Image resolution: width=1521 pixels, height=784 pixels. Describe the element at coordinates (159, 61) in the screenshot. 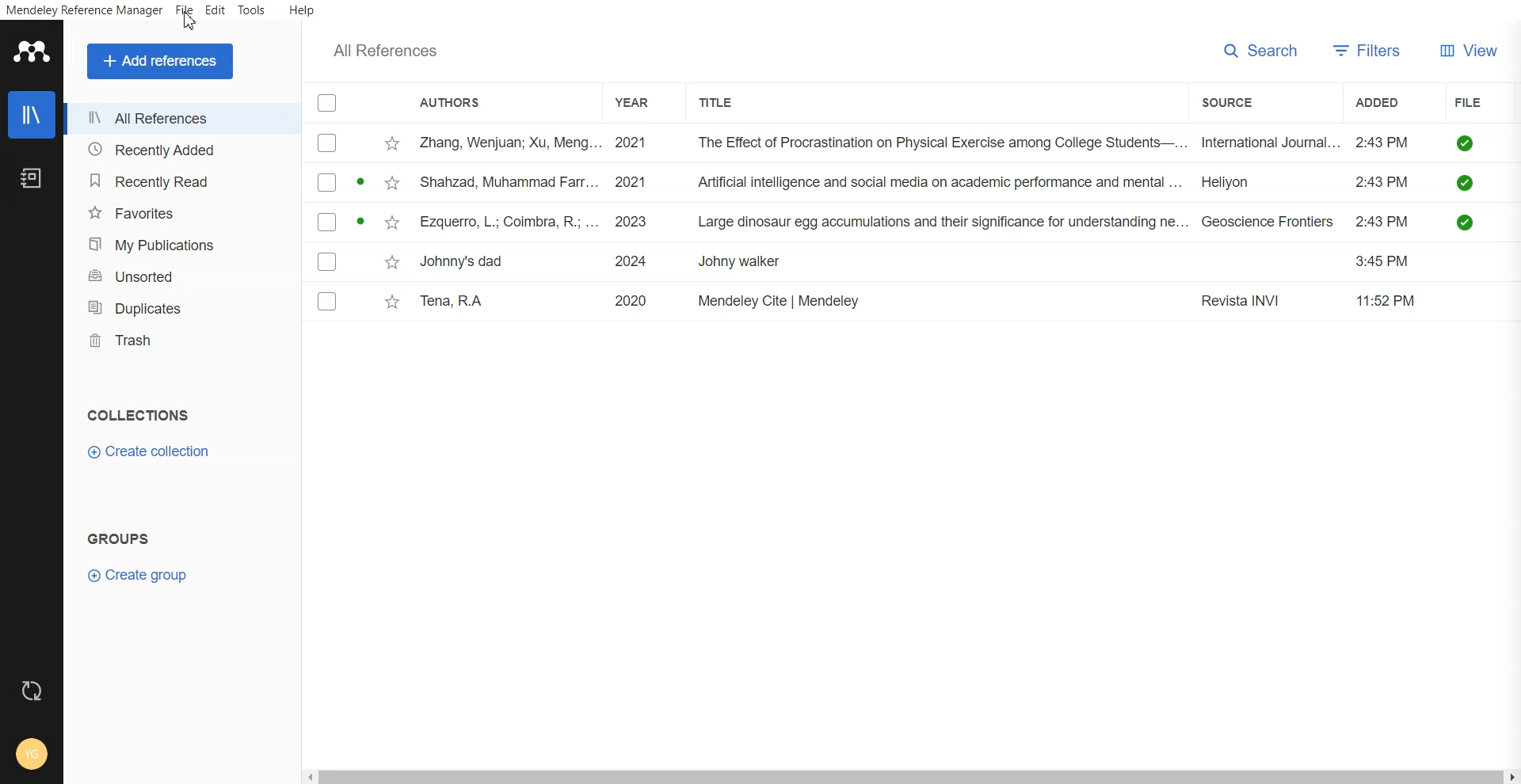

I see `Add references` at that location.